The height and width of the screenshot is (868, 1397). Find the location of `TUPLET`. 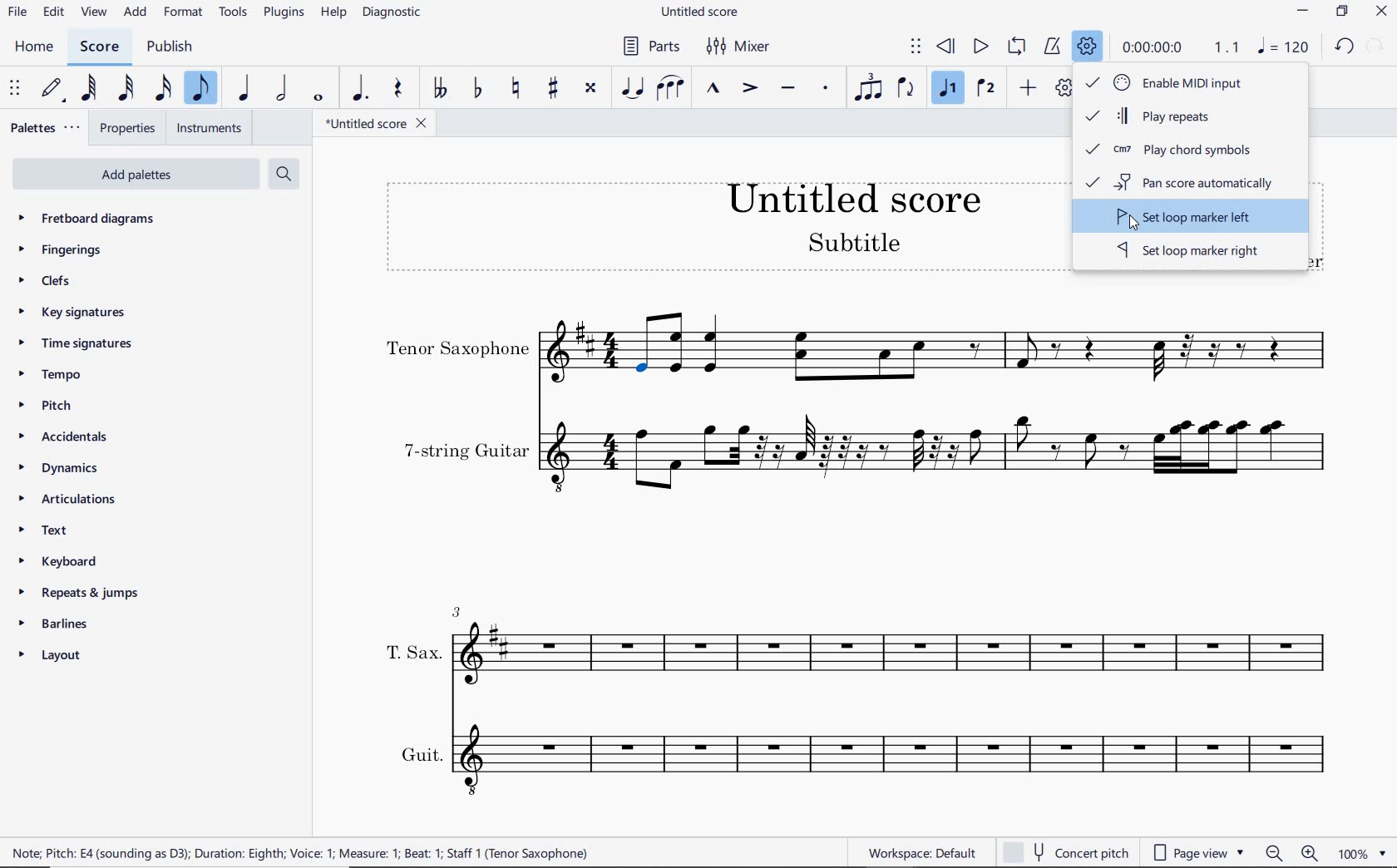

TUPLET is located at coordinates (866, 88).